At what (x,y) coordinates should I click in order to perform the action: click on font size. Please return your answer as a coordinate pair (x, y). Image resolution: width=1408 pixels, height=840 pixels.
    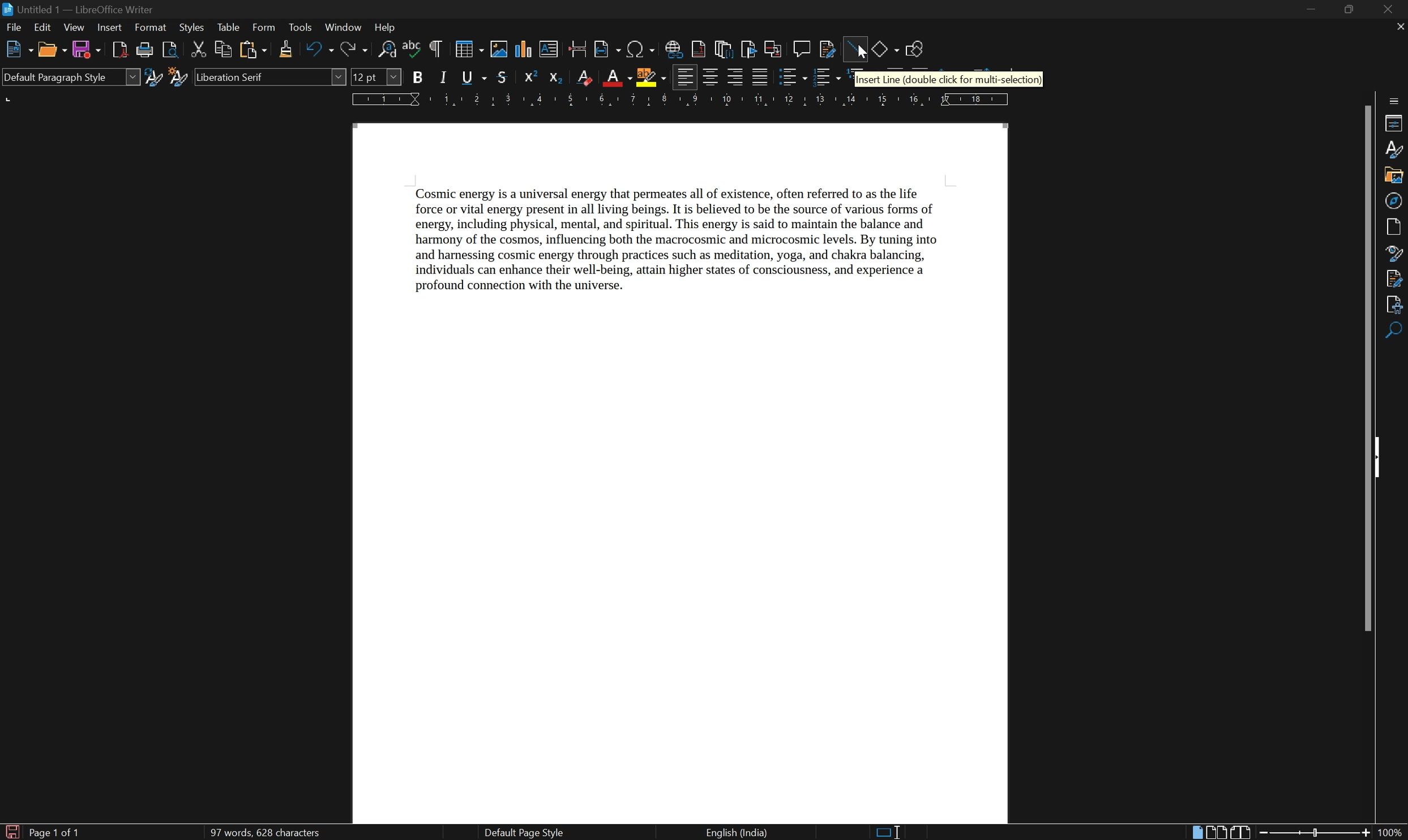
    Looking at the image, I should click on (376, 78).